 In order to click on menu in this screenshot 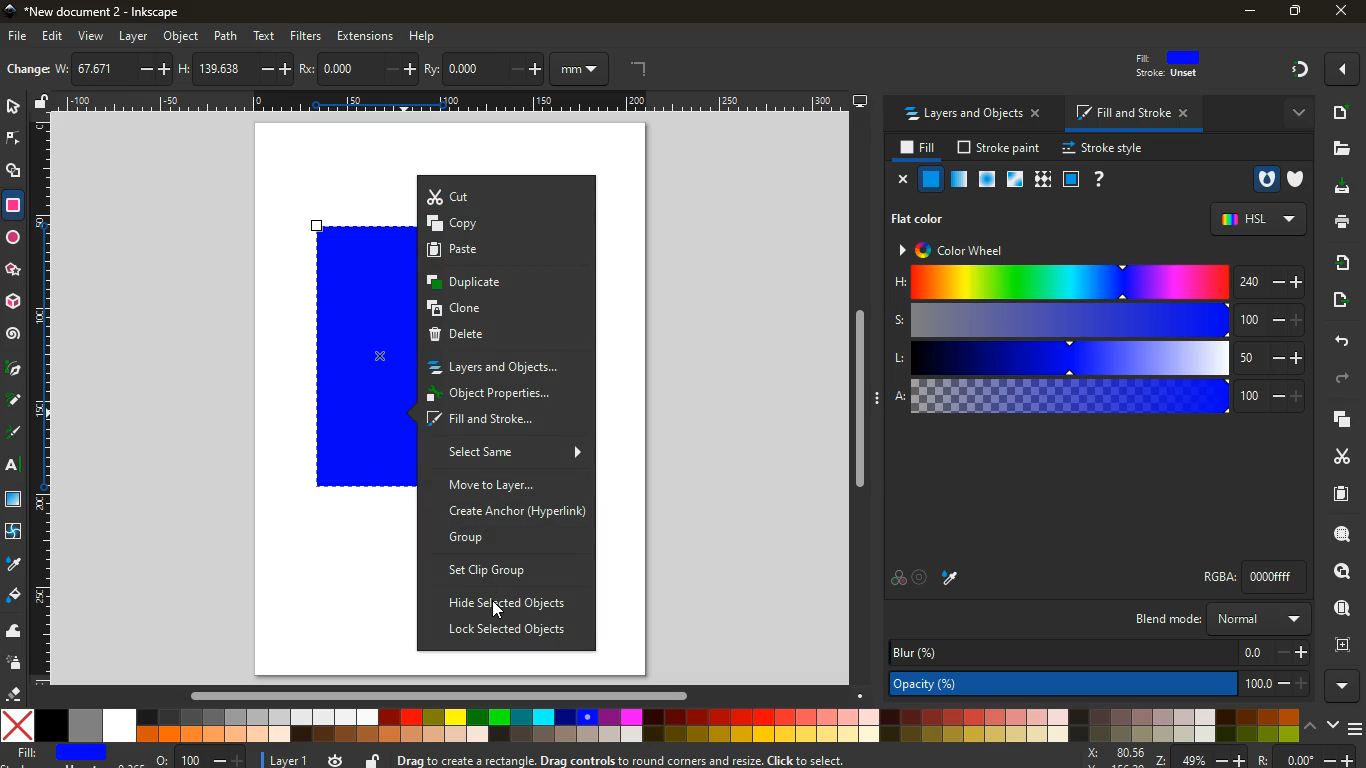, I will do `click(1354, 729)`.